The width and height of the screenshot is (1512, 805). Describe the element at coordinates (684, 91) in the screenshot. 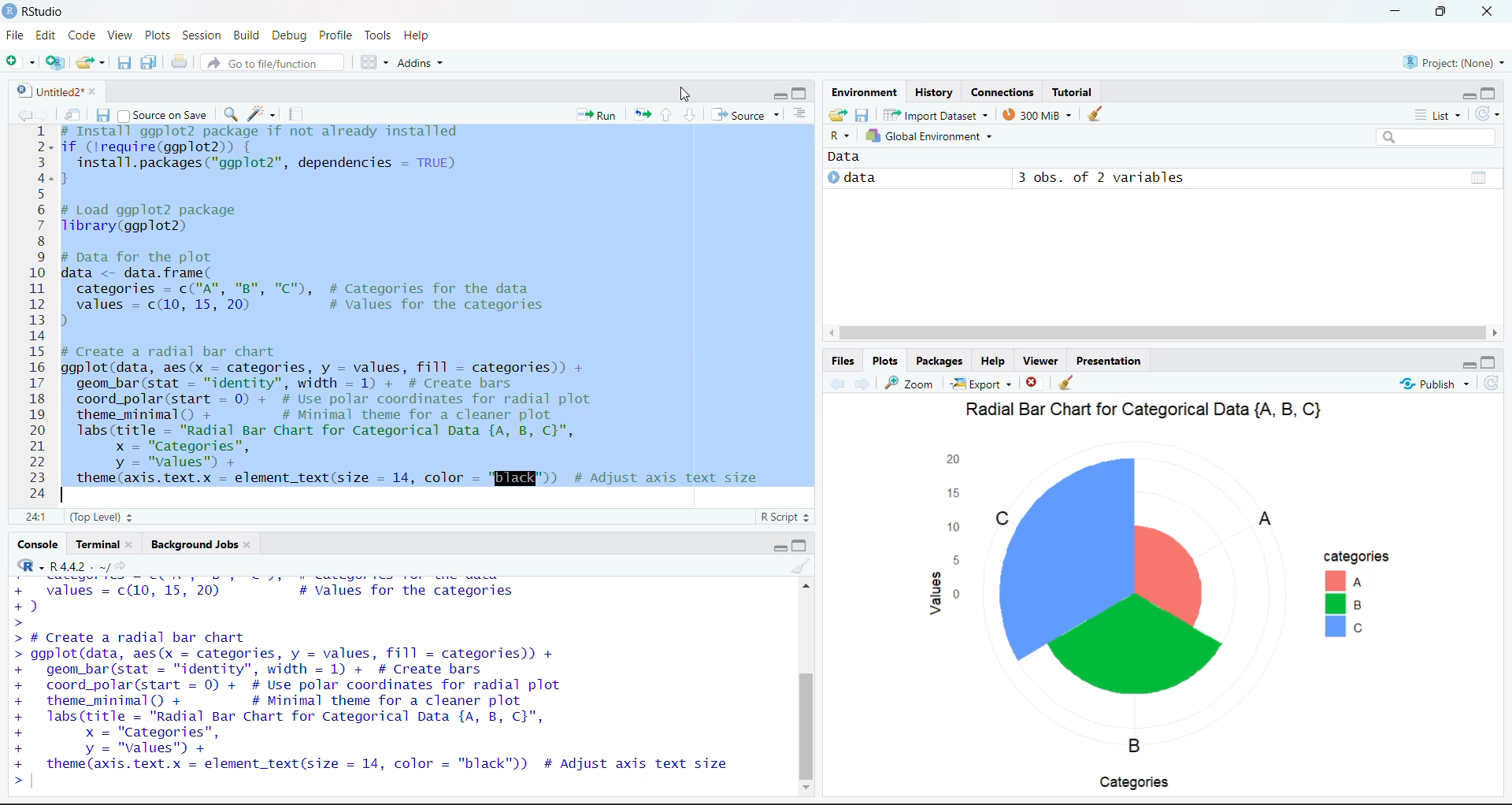

I see `cursor` at that location.